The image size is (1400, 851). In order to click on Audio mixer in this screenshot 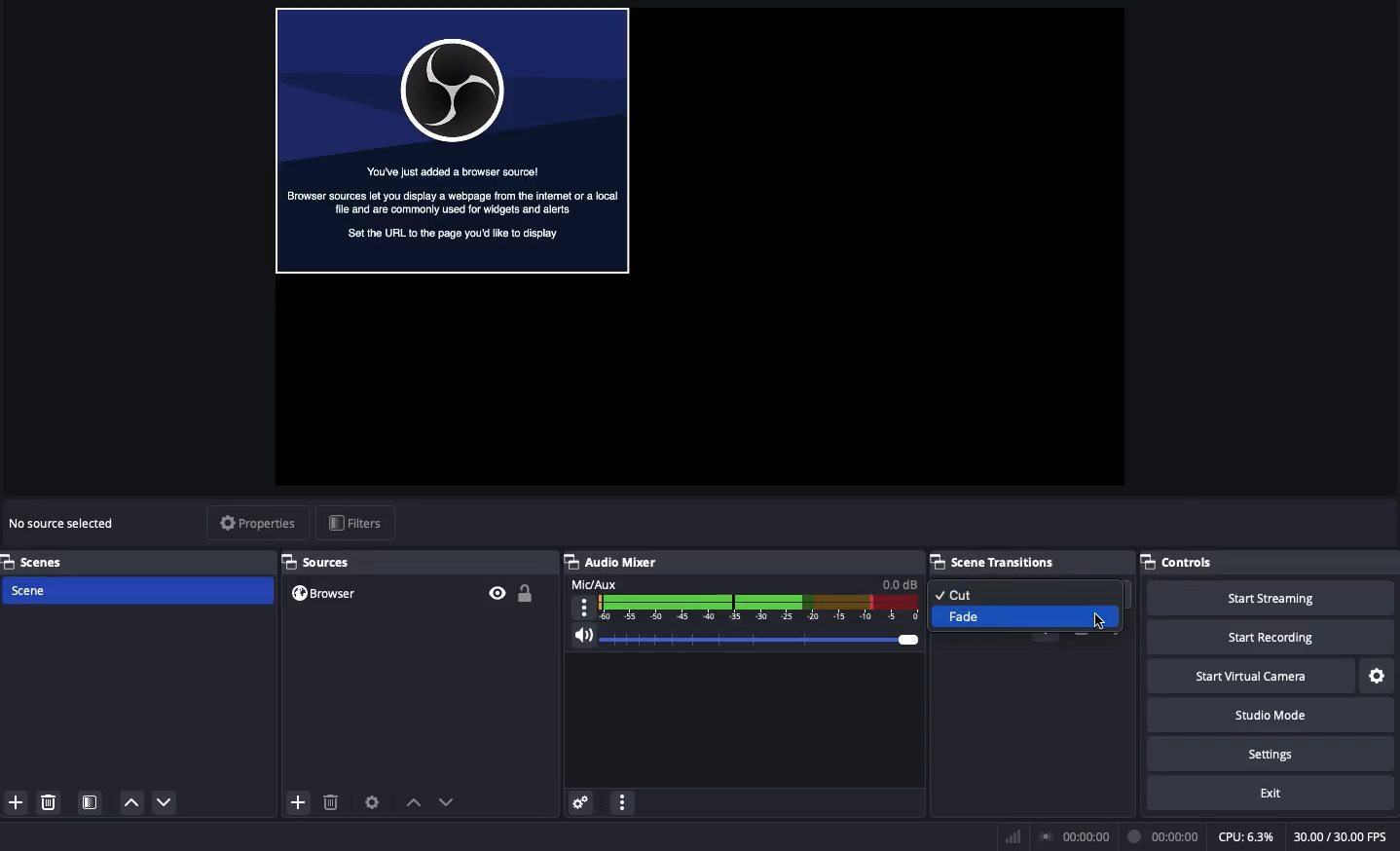, I will do `click(614, 561)`.